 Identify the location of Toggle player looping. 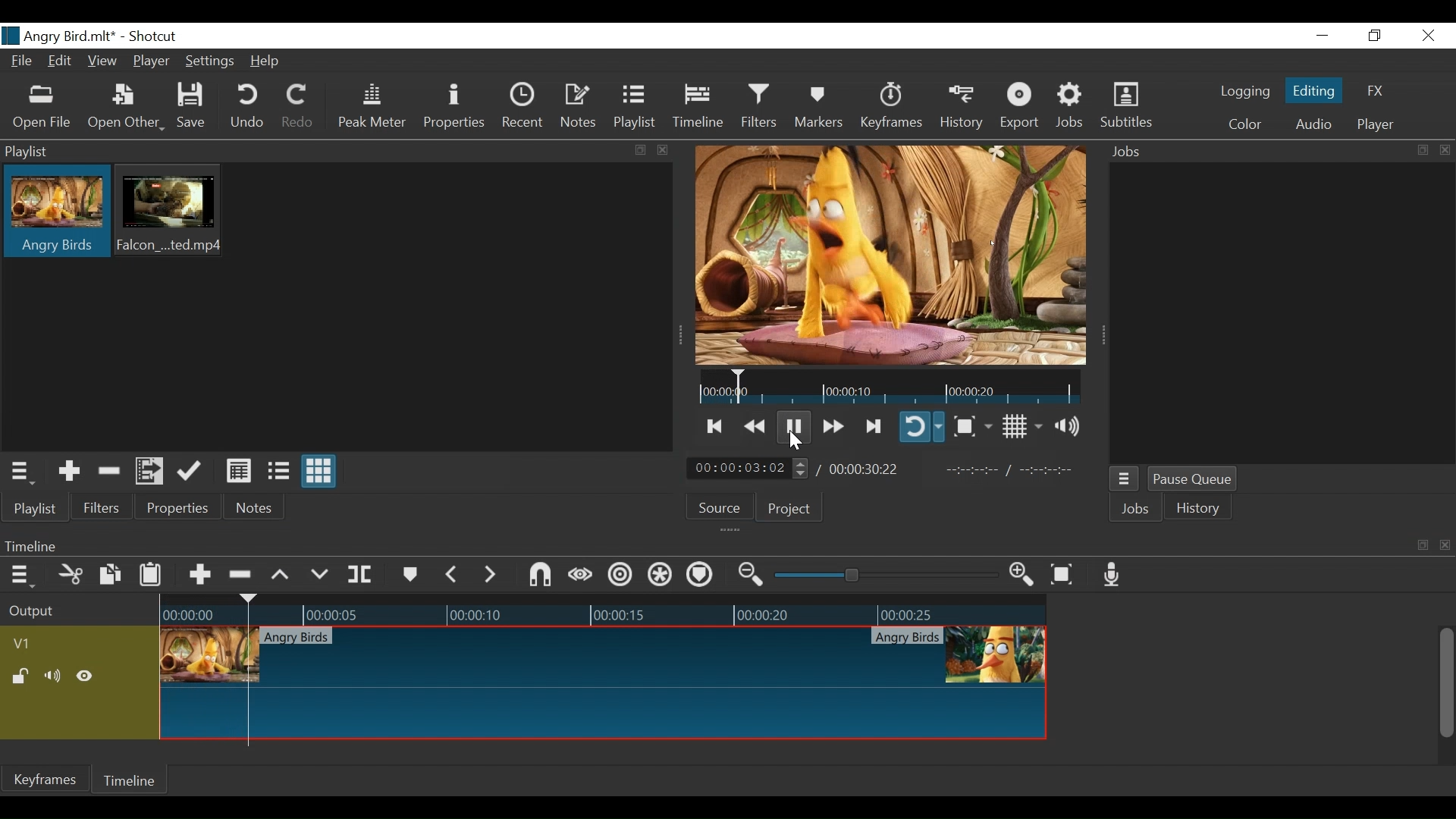
(921, 428).